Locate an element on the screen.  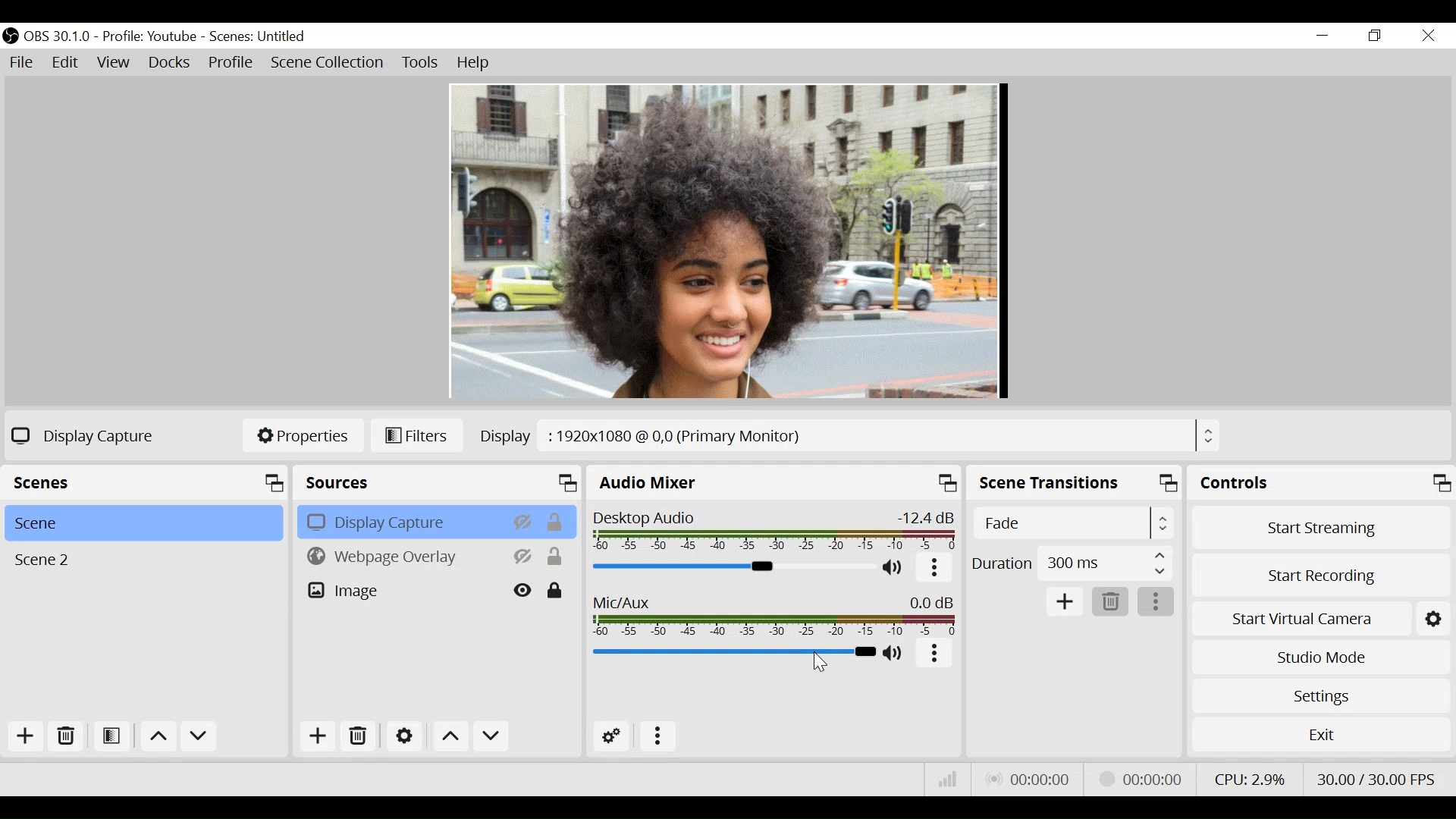
Desktop Audio Slider is located at coordinates (734, 567).